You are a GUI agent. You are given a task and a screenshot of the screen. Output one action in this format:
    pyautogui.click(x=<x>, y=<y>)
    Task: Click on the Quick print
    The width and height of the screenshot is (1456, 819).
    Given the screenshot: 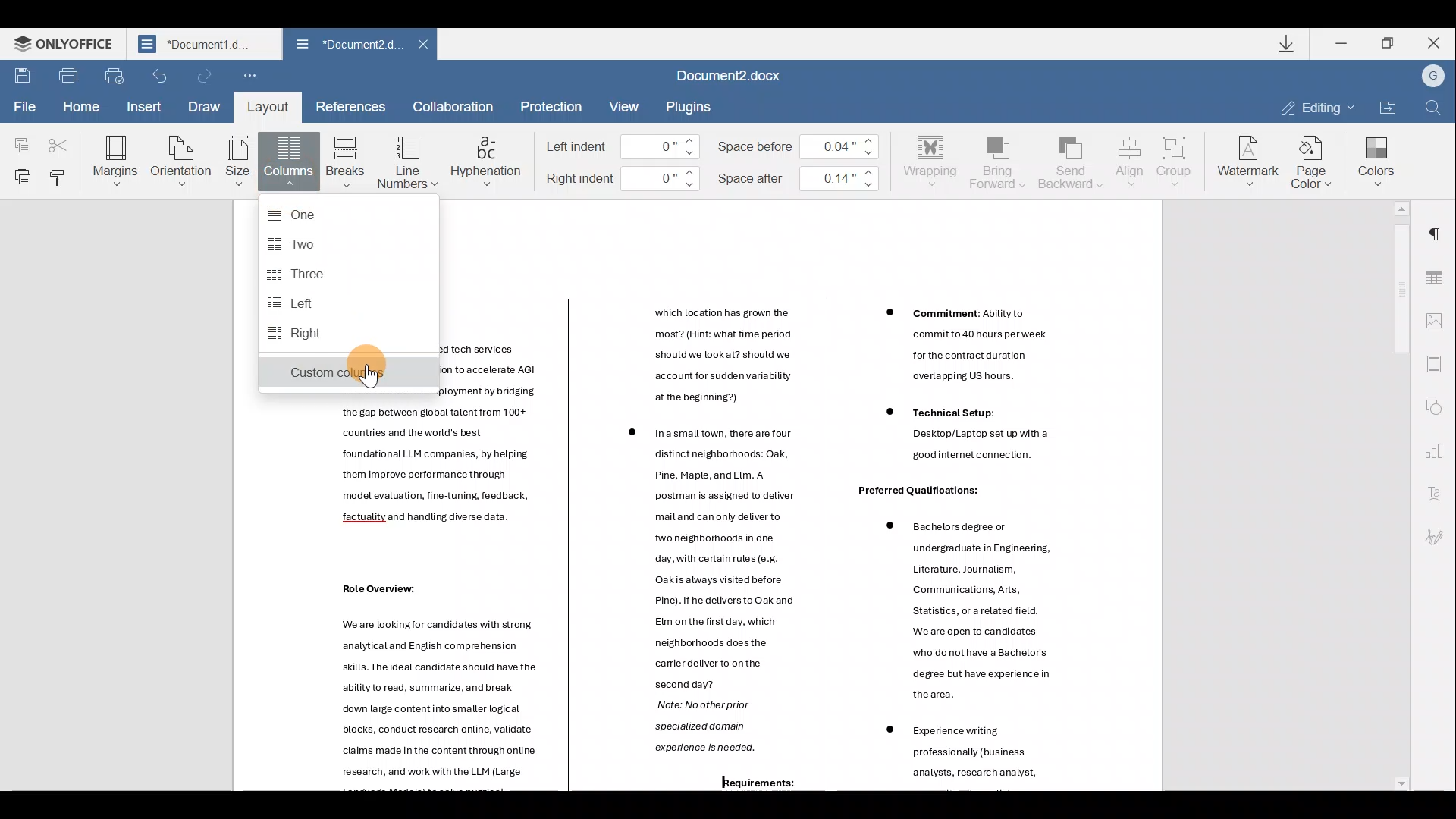 What is the action you would take?
    pyautogui.click(x=115, y=74)
    